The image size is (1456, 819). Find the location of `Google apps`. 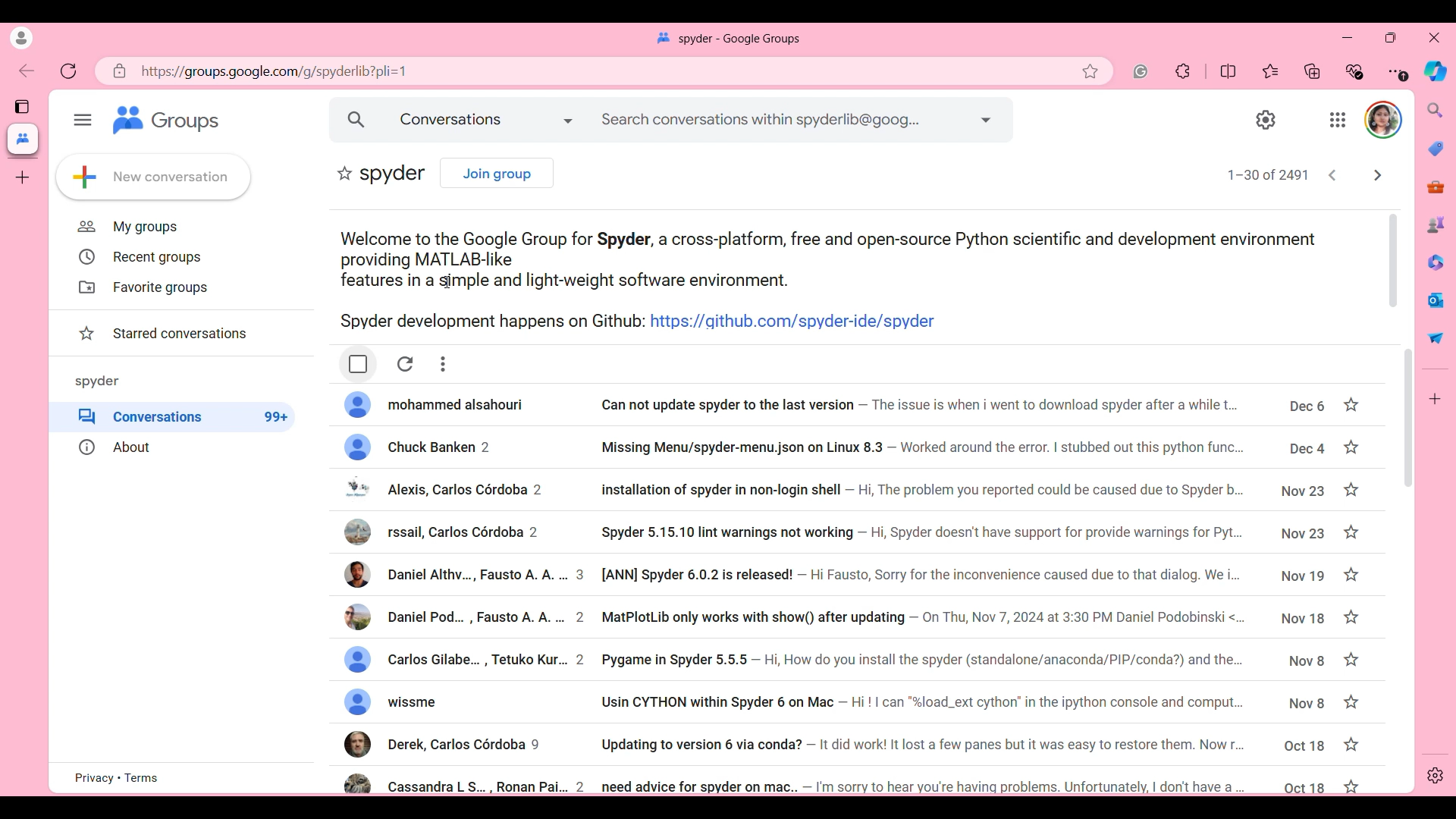

Google apps is located at coordinates (1338, 120).